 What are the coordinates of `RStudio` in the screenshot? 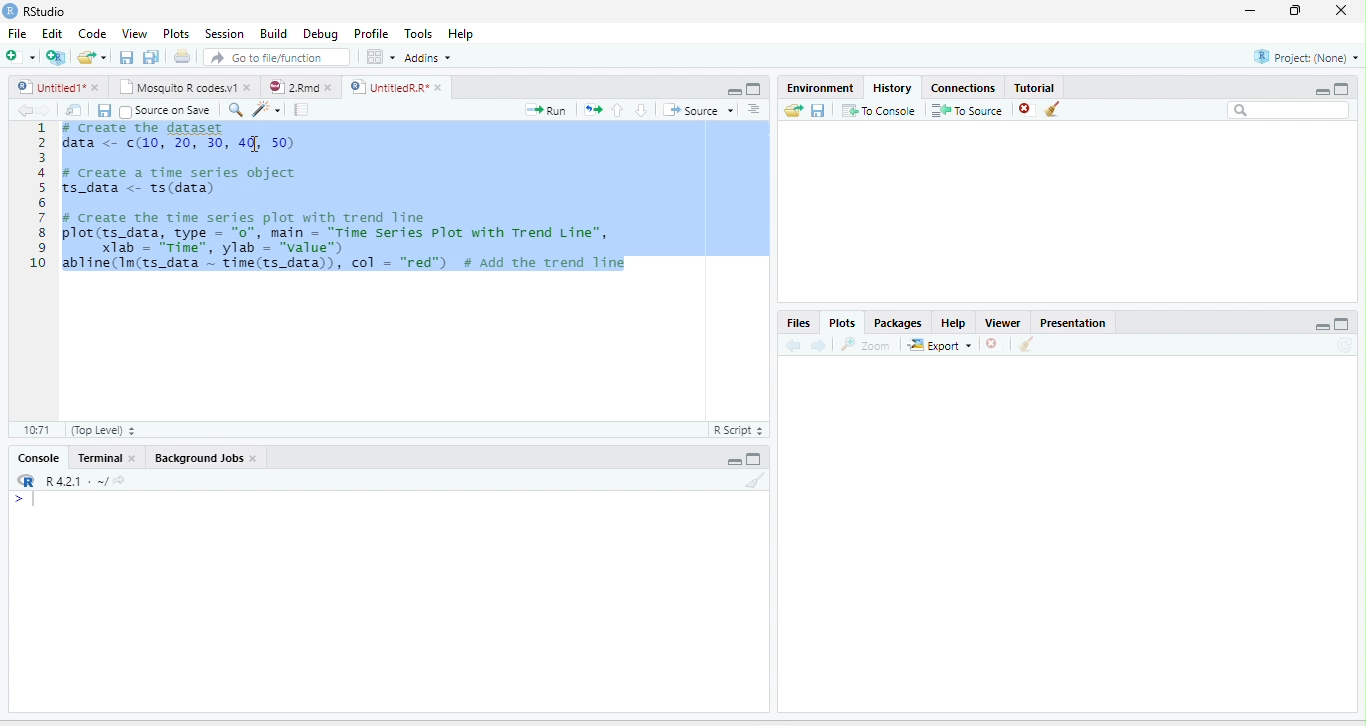 It's located at (34, 10).